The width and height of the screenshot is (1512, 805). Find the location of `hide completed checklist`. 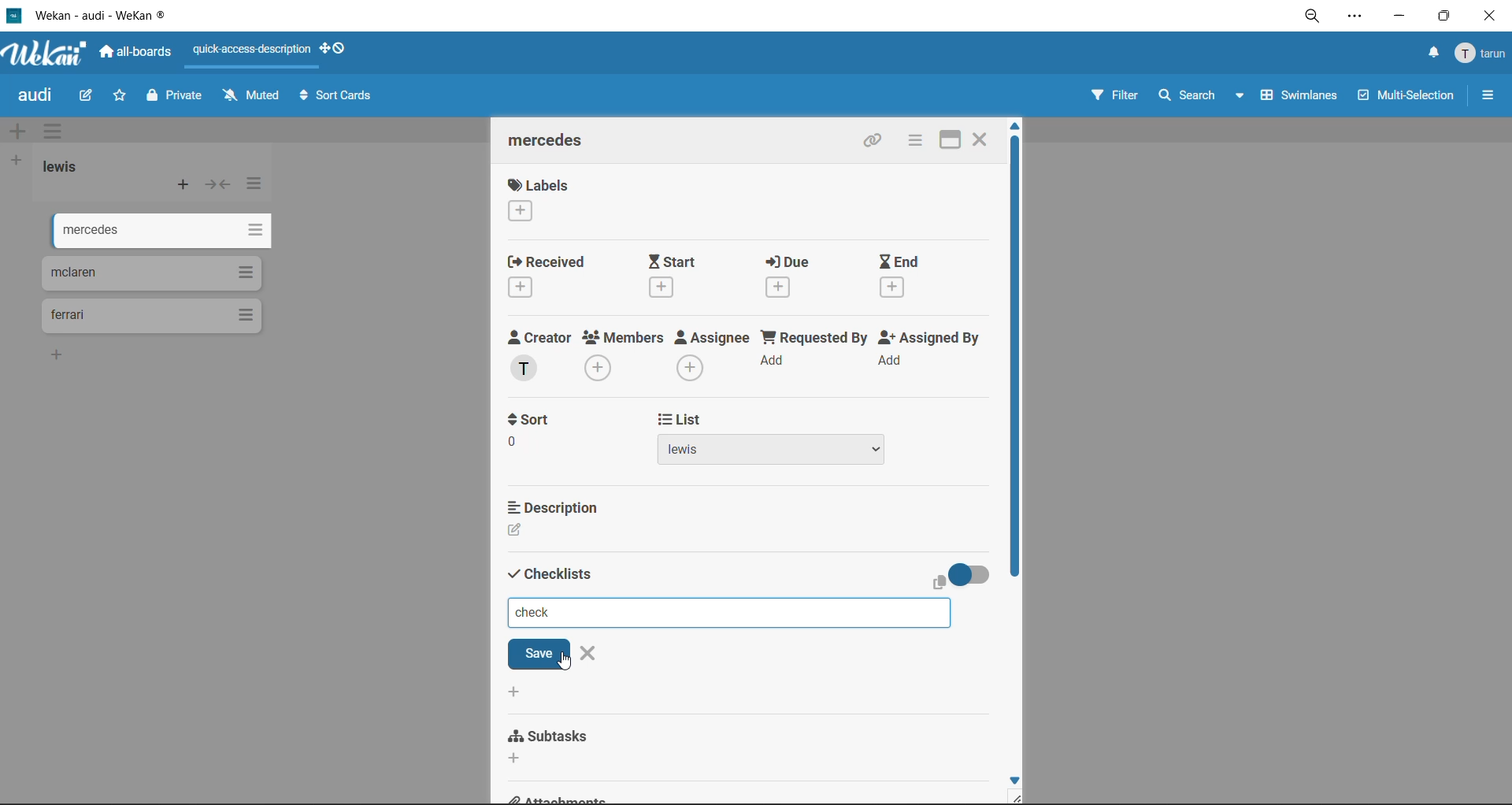

hide completed checklist is located at coordinates (976, 573).